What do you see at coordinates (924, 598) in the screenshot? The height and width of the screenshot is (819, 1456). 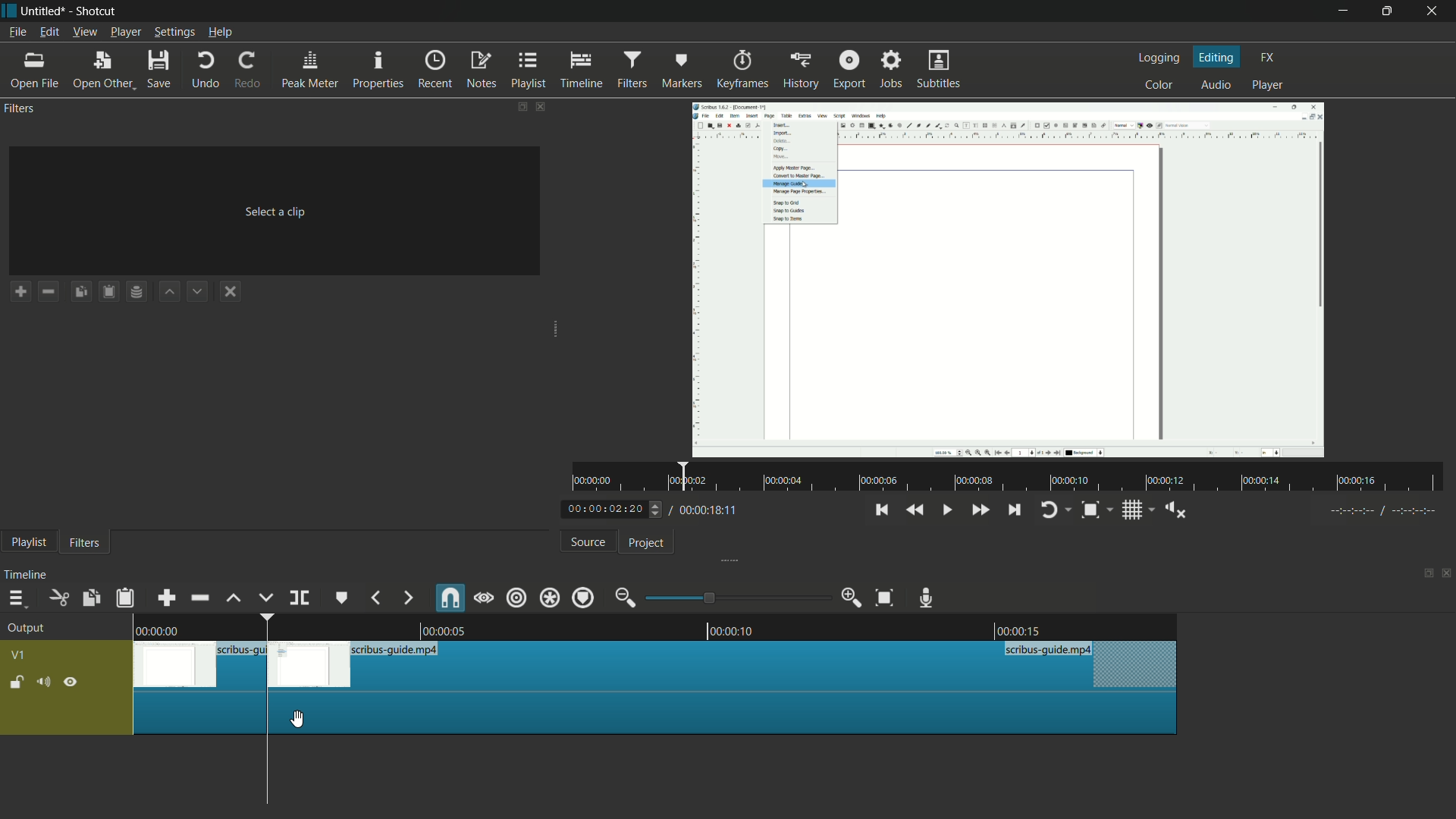 I see `record audio` at bounding box center [924, 598].